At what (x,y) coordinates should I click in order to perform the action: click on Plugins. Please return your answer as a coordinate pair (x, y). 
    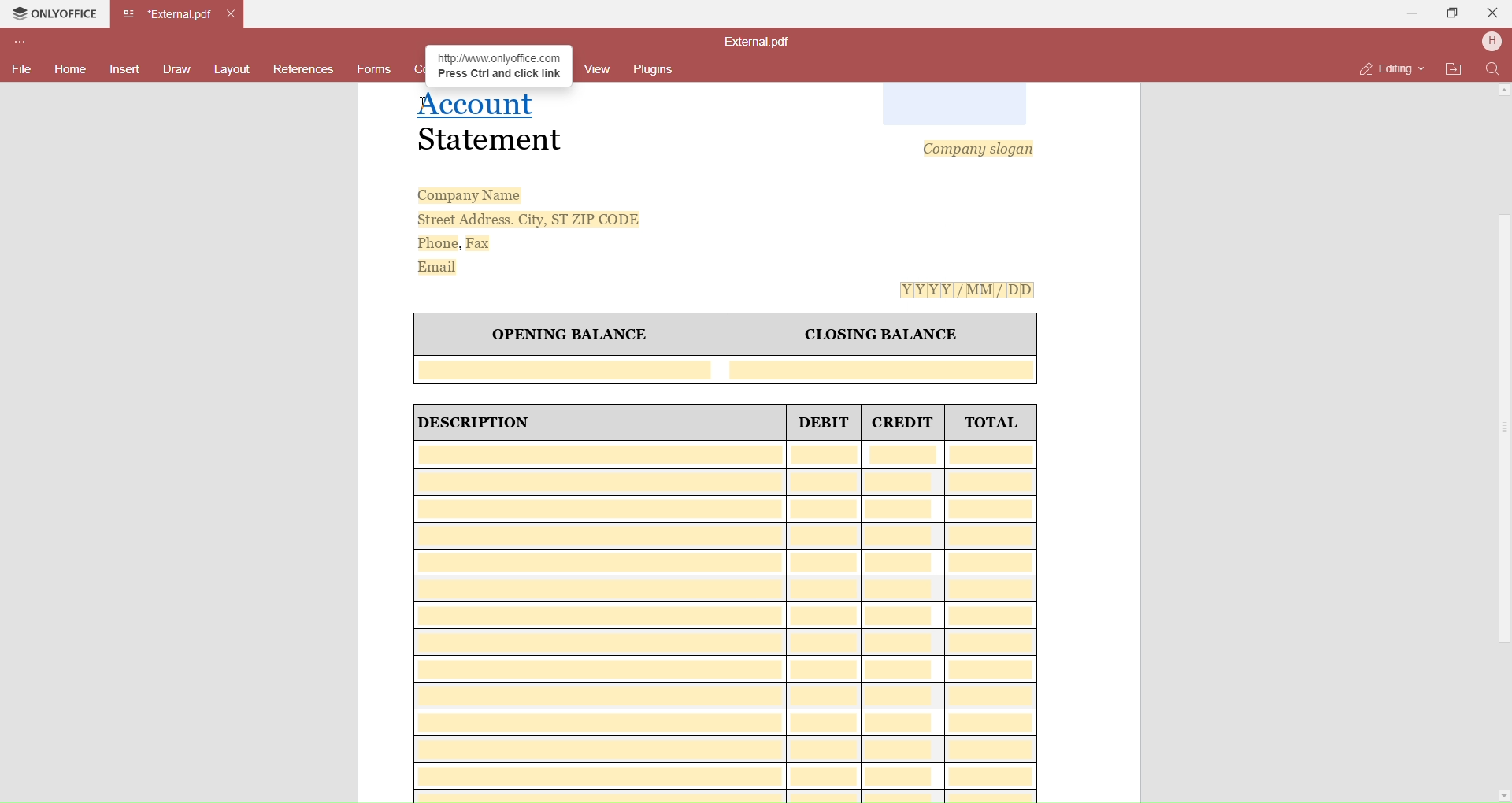
    Looking at the image, I should click on (658, 68).